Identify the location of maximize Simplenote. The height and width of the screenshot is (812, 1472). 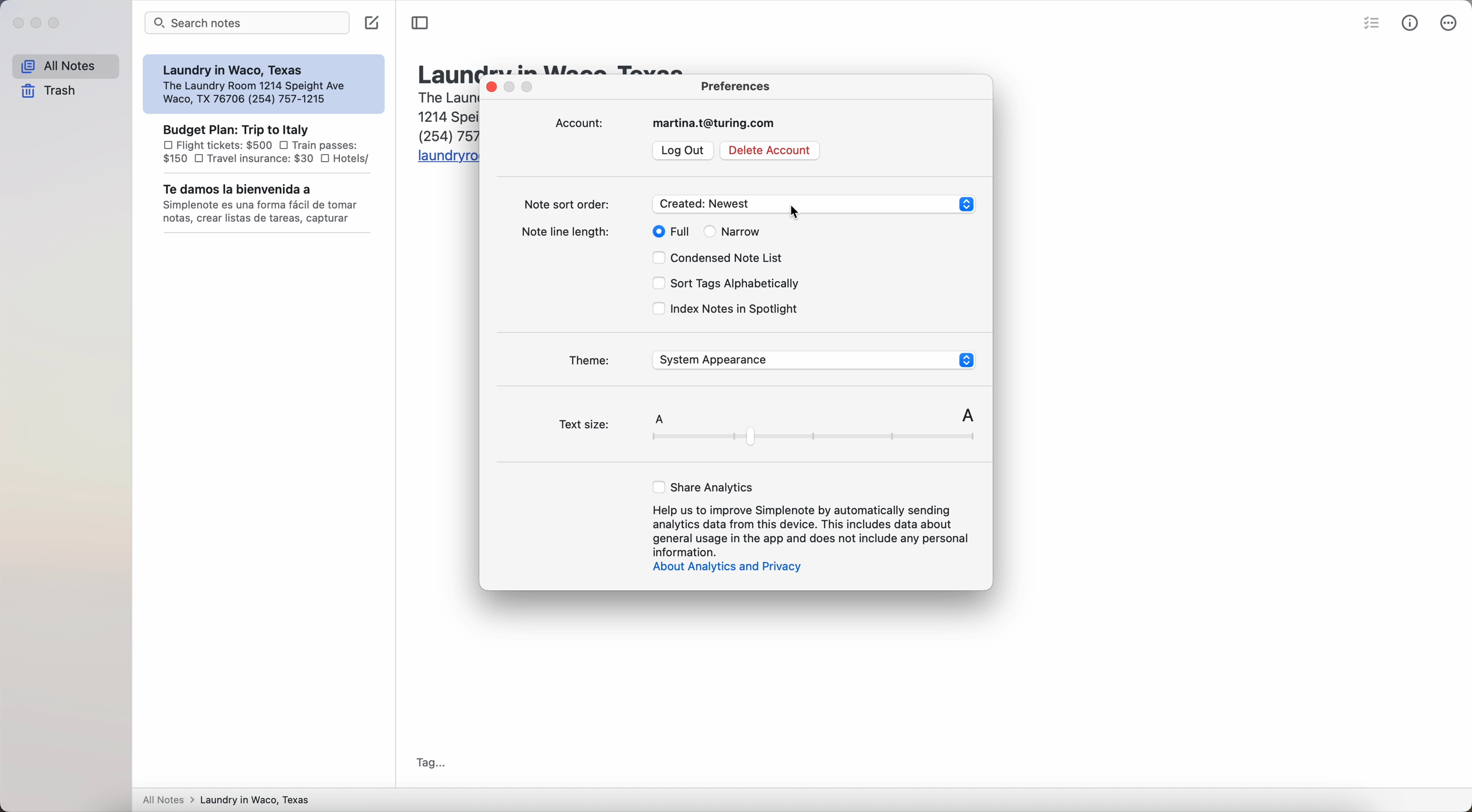
(55, 23).